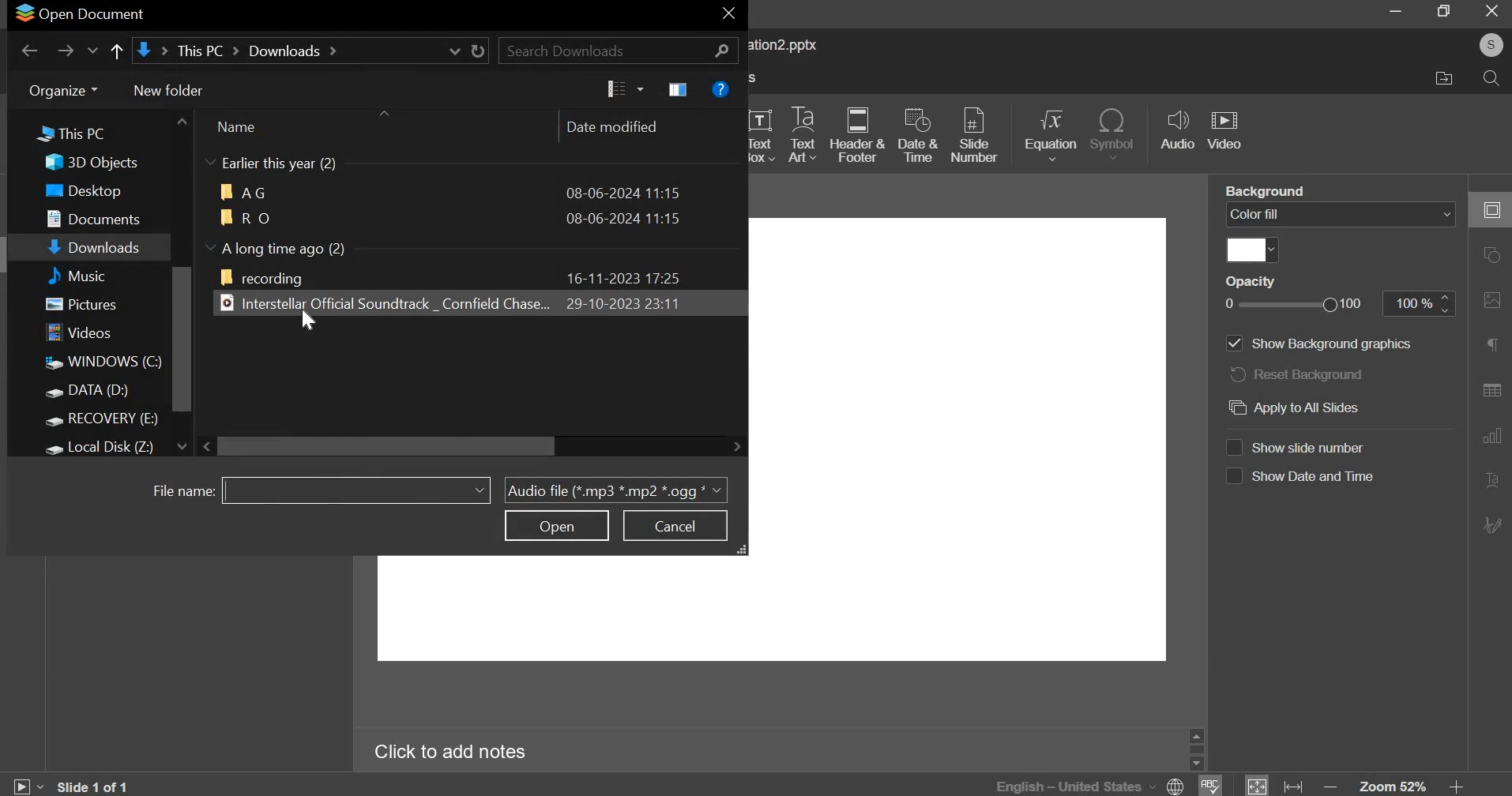 Image resolution: width=1512 pixels, height=796 pixels. Describe the element at coordinates (179, 490) in the screenshot. I see `file name` at that location.